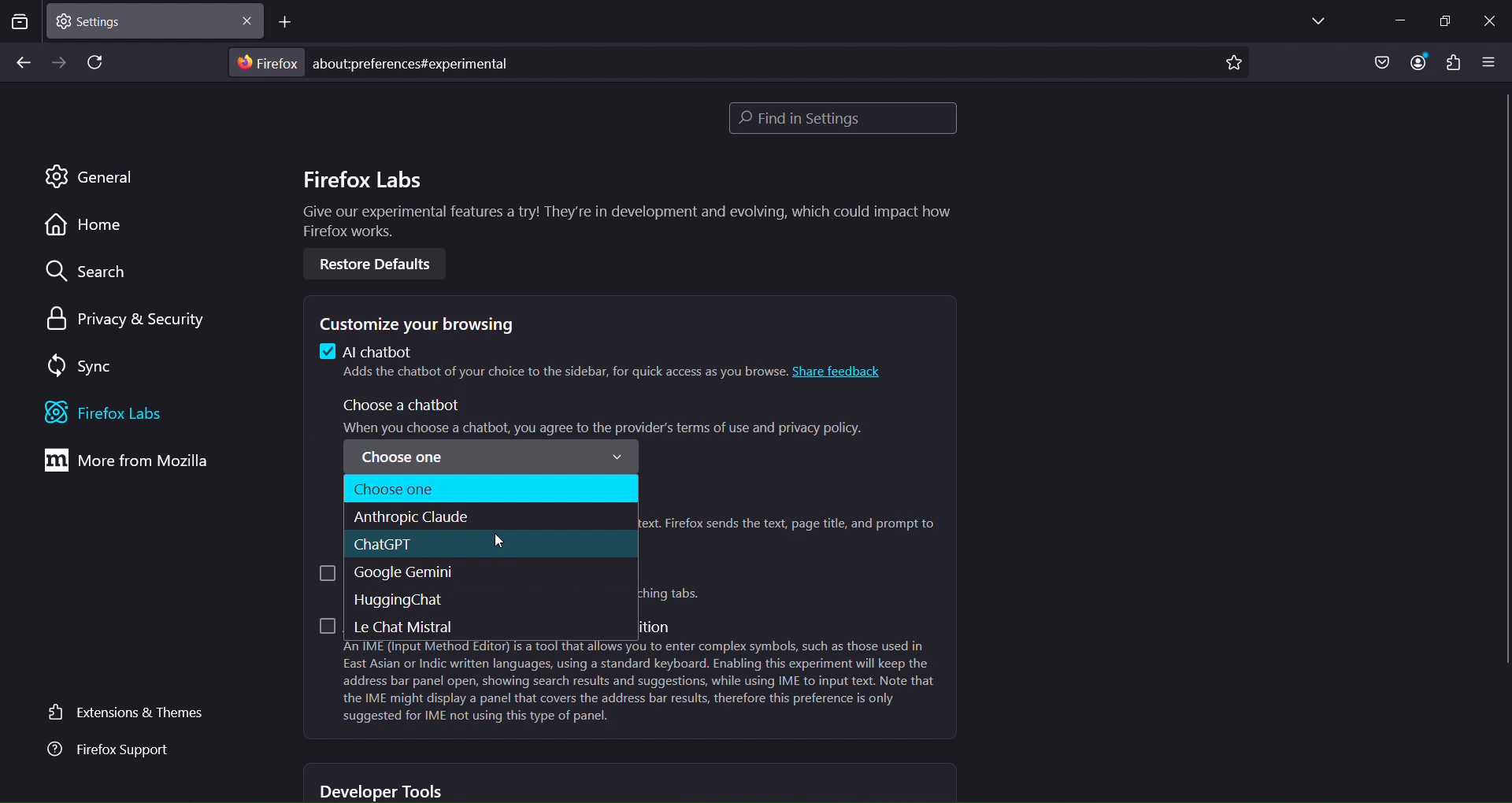 This screenshot has width=1512, height=803. Describe the element at coordinates (499, 540) in the screenshot. I see `cursor` at that location.